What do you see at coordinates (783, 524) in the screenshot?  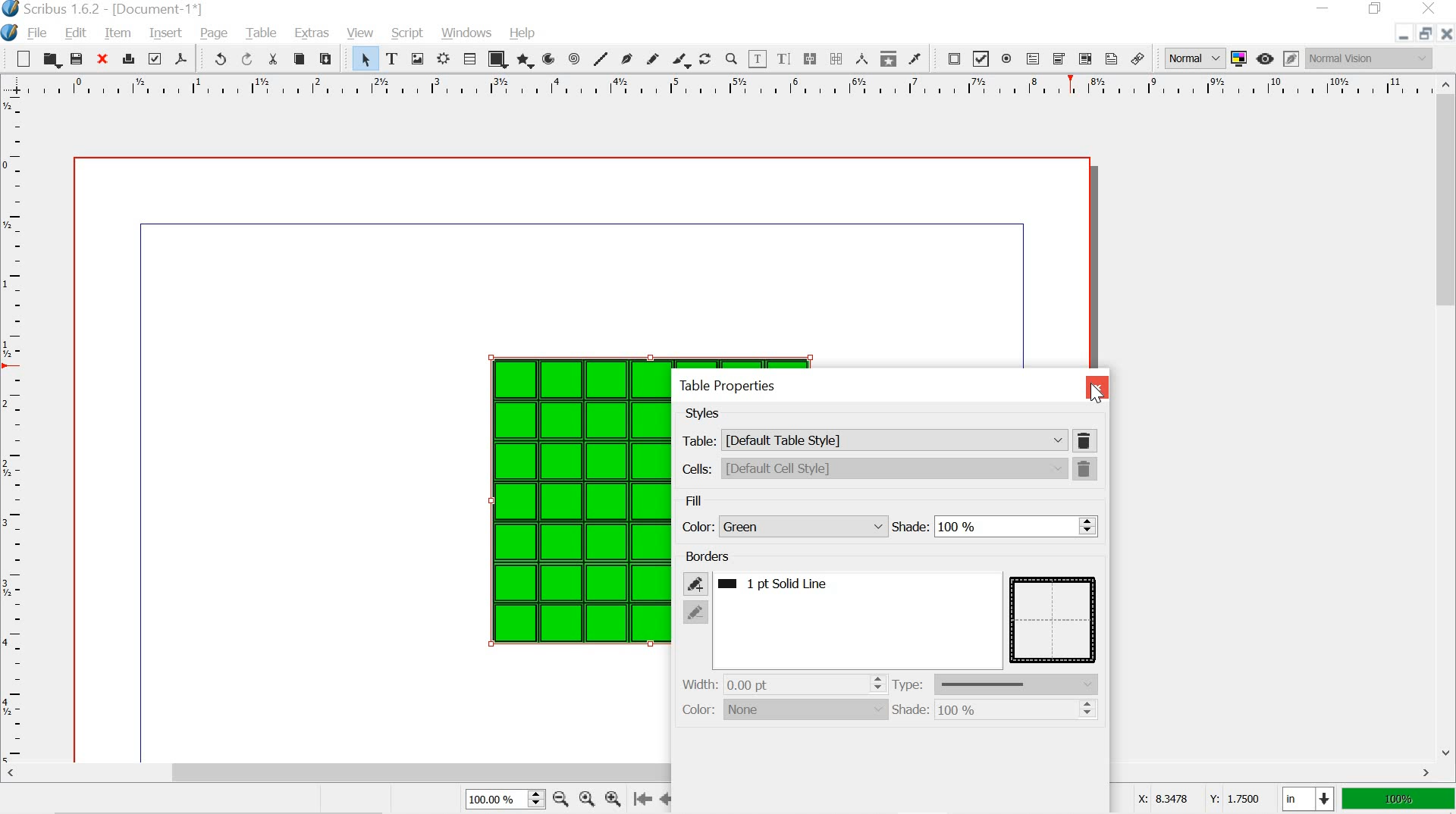 I see `color: None` at bounding box center [783, 524].